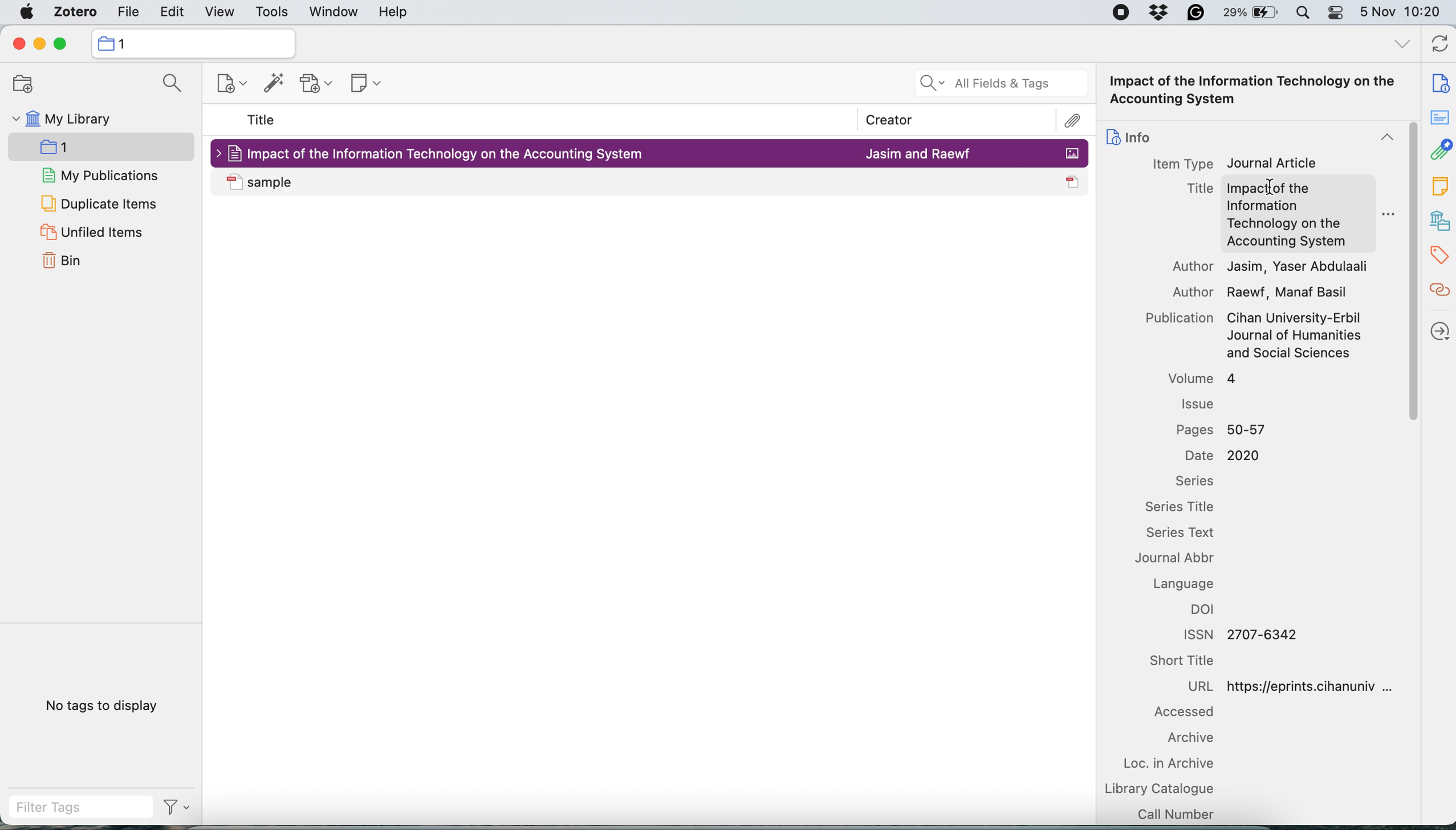 The image size is (1456, 830). Describe the element at coordinates (1260, 292) in the screenshot. I see `Author Raewf, Manaf Basil` at that location.